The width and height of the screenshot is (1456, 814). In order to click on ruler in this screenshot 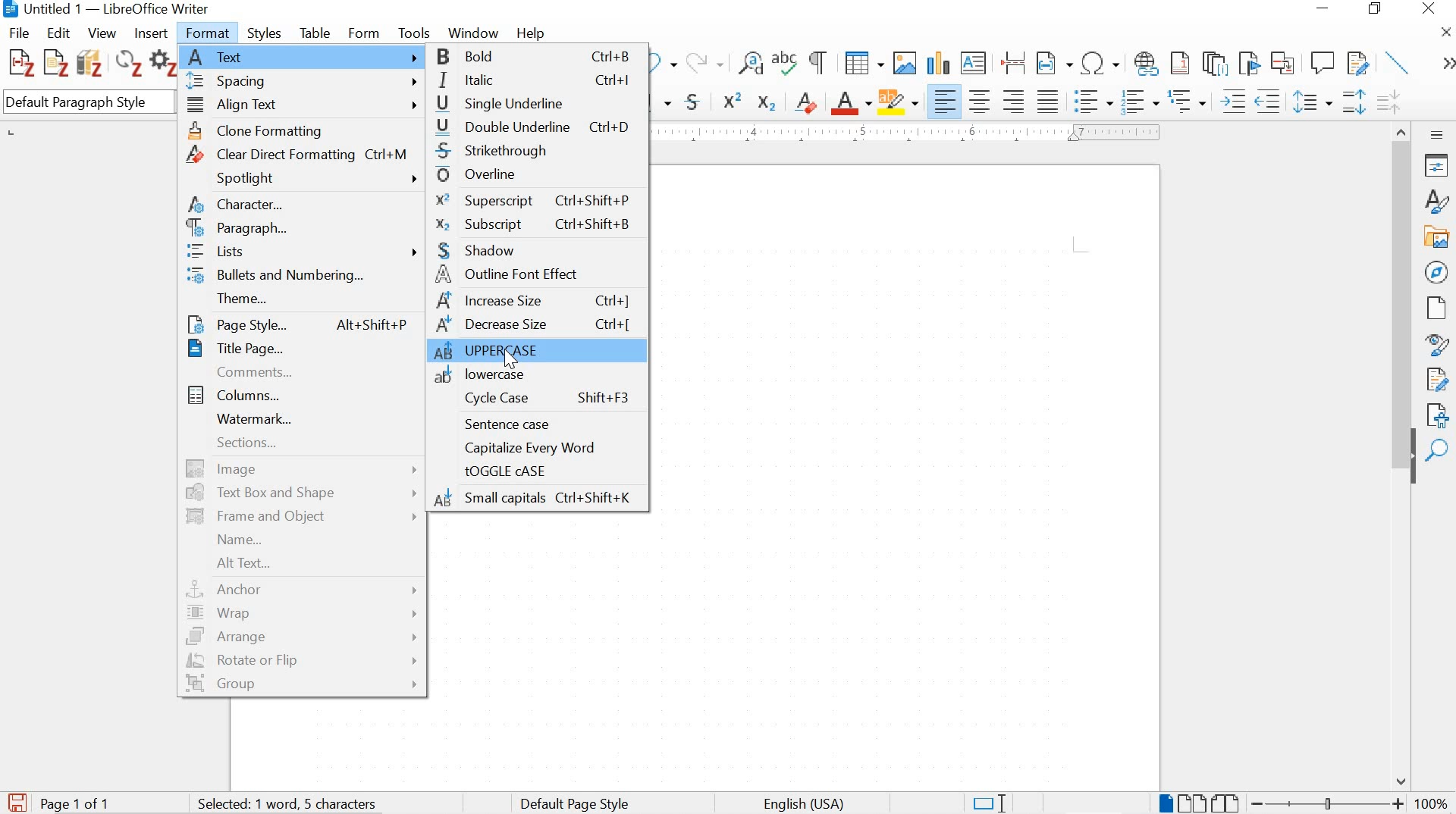, I will do `click(914, 133)`.